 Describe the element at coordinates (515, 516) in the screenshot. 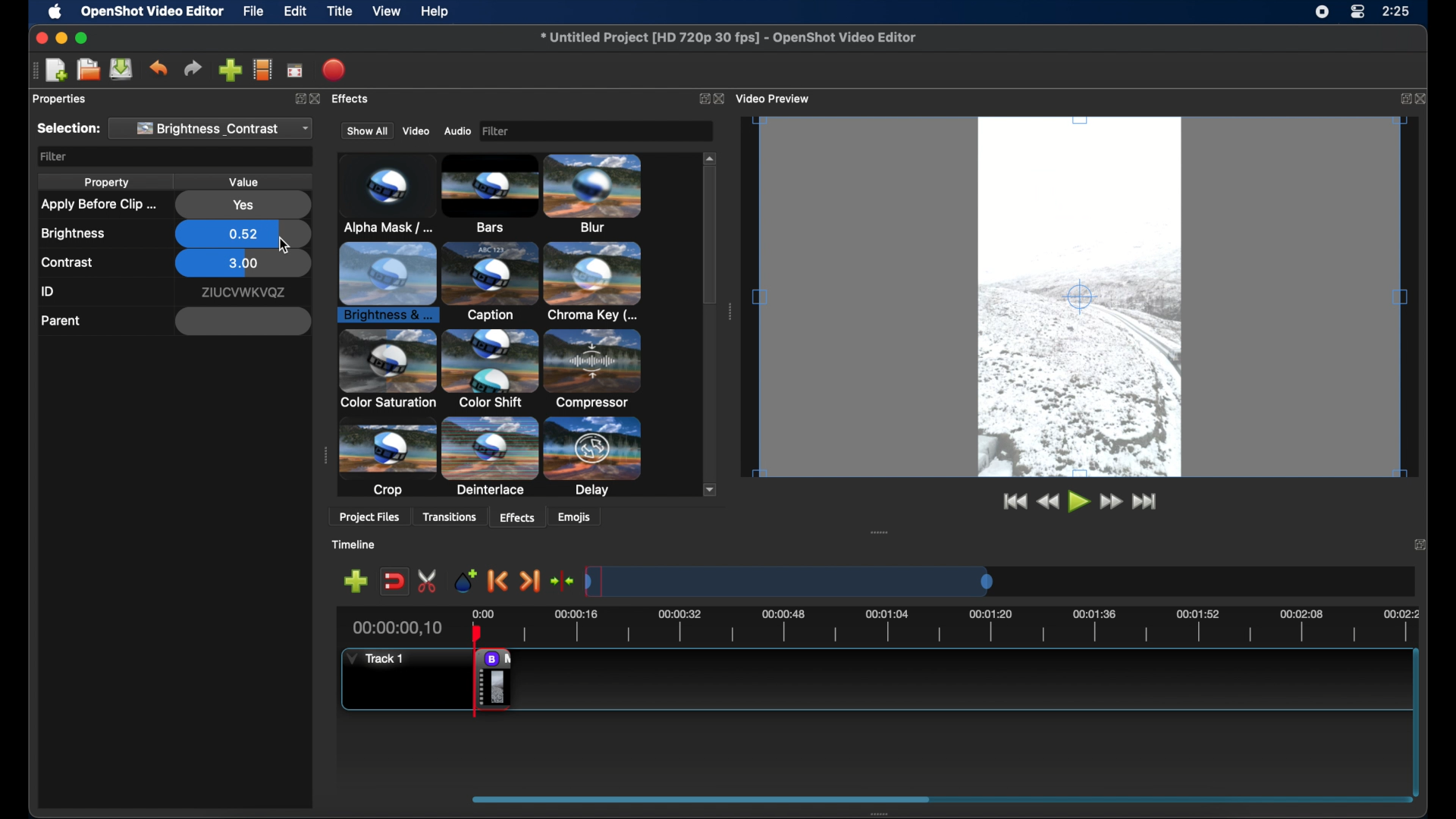

I see `effects` at that location.